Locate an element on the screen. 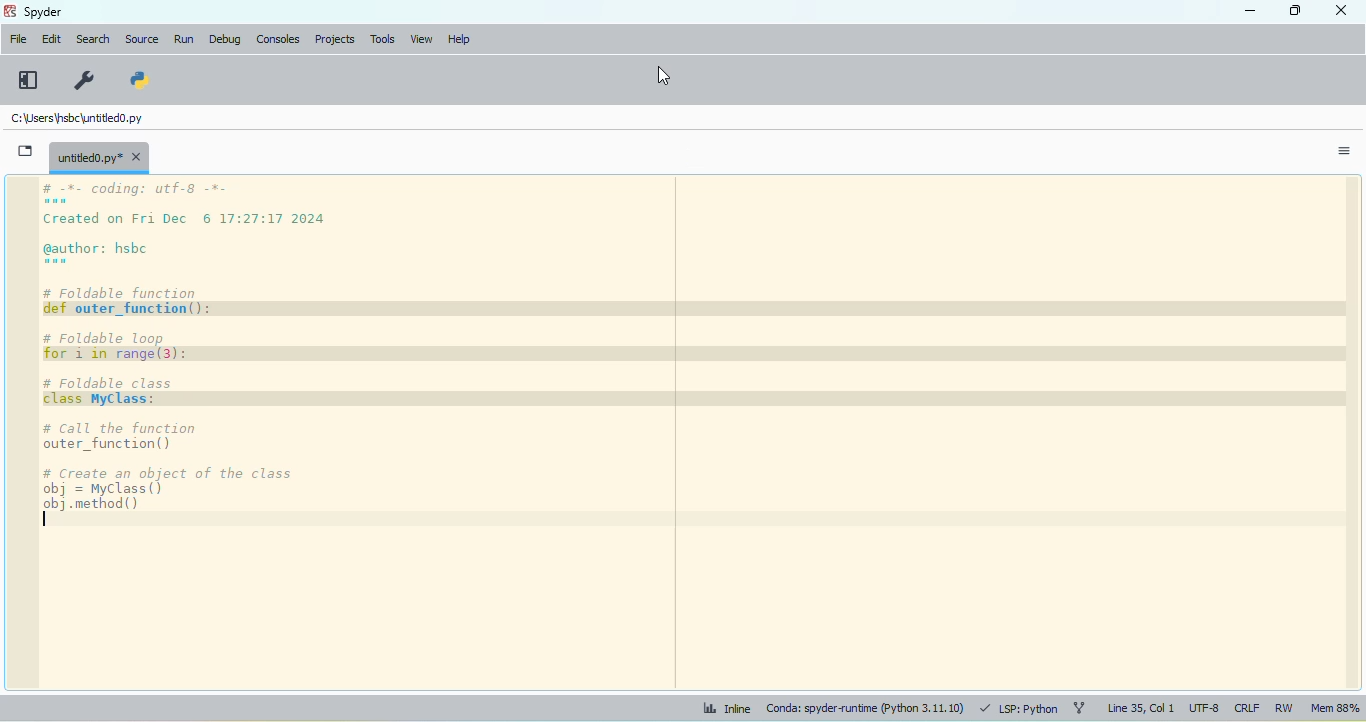  maximize is located at coordinates (1296, 10).